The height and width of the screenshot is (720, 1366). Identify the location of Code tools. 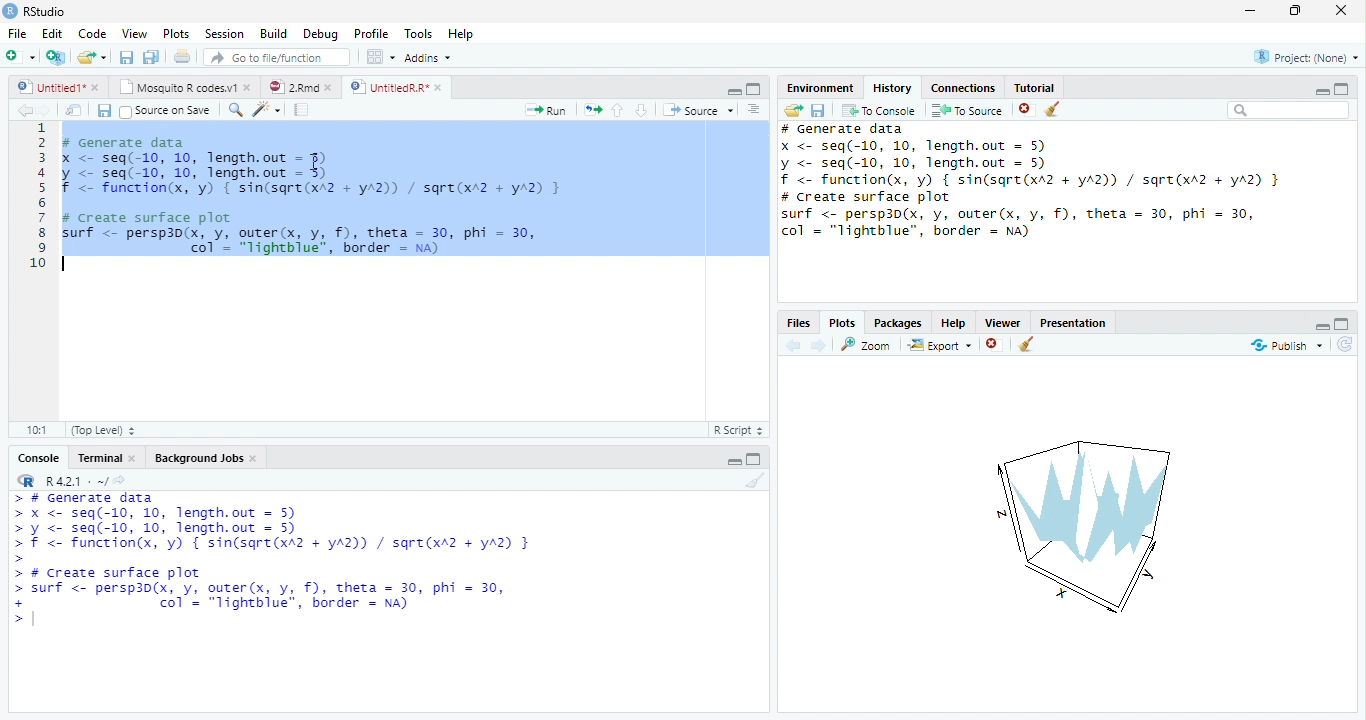
(267, 109).